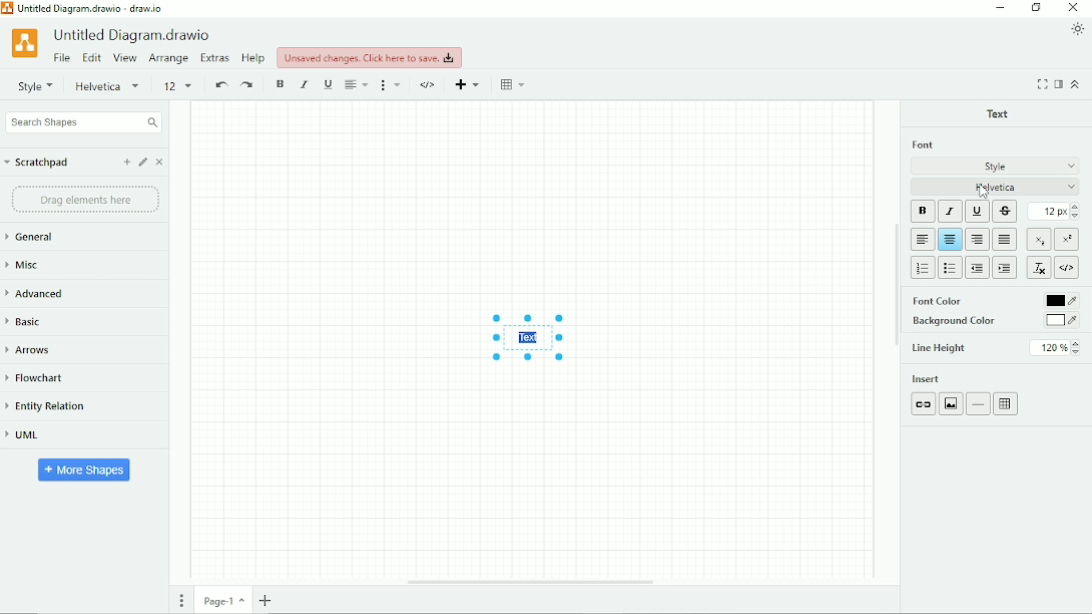 The width and height of the screenshot is (1092, 614). I want to click on Increase indent, so click(1005, 267).